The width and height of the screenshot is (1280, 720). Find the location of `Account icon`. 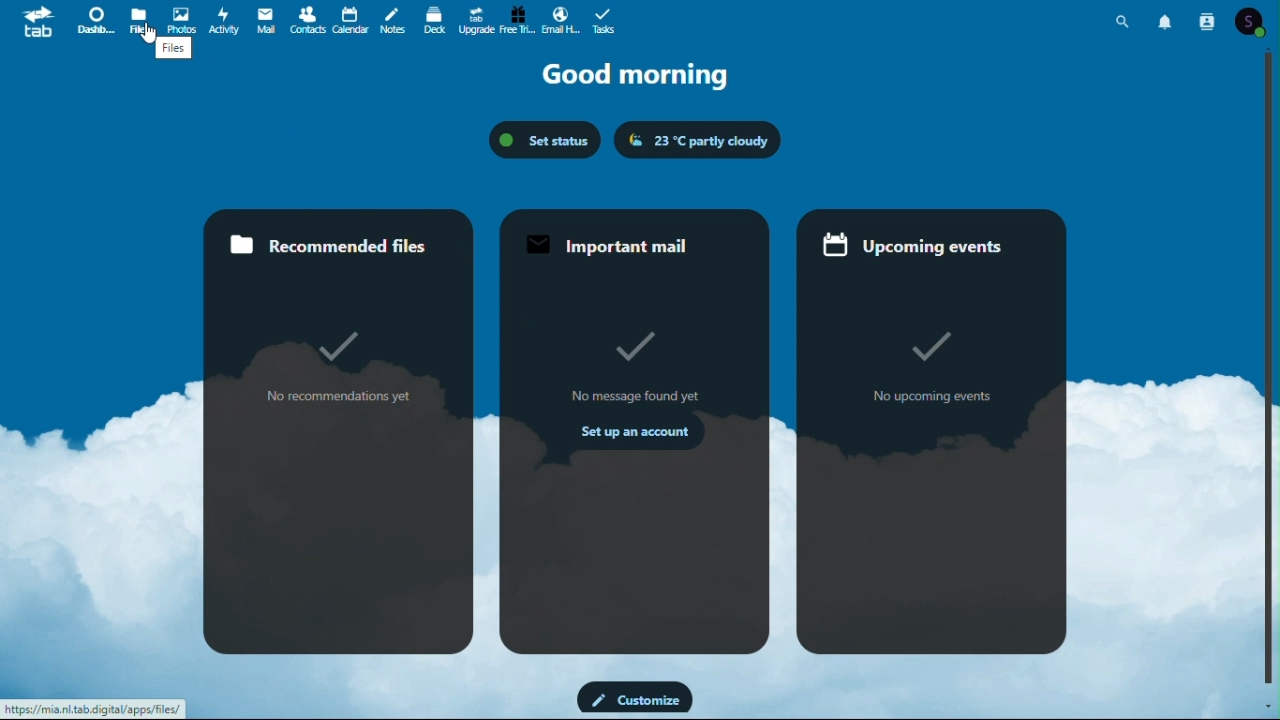

Account icon is located at coordinates (1253, 21).